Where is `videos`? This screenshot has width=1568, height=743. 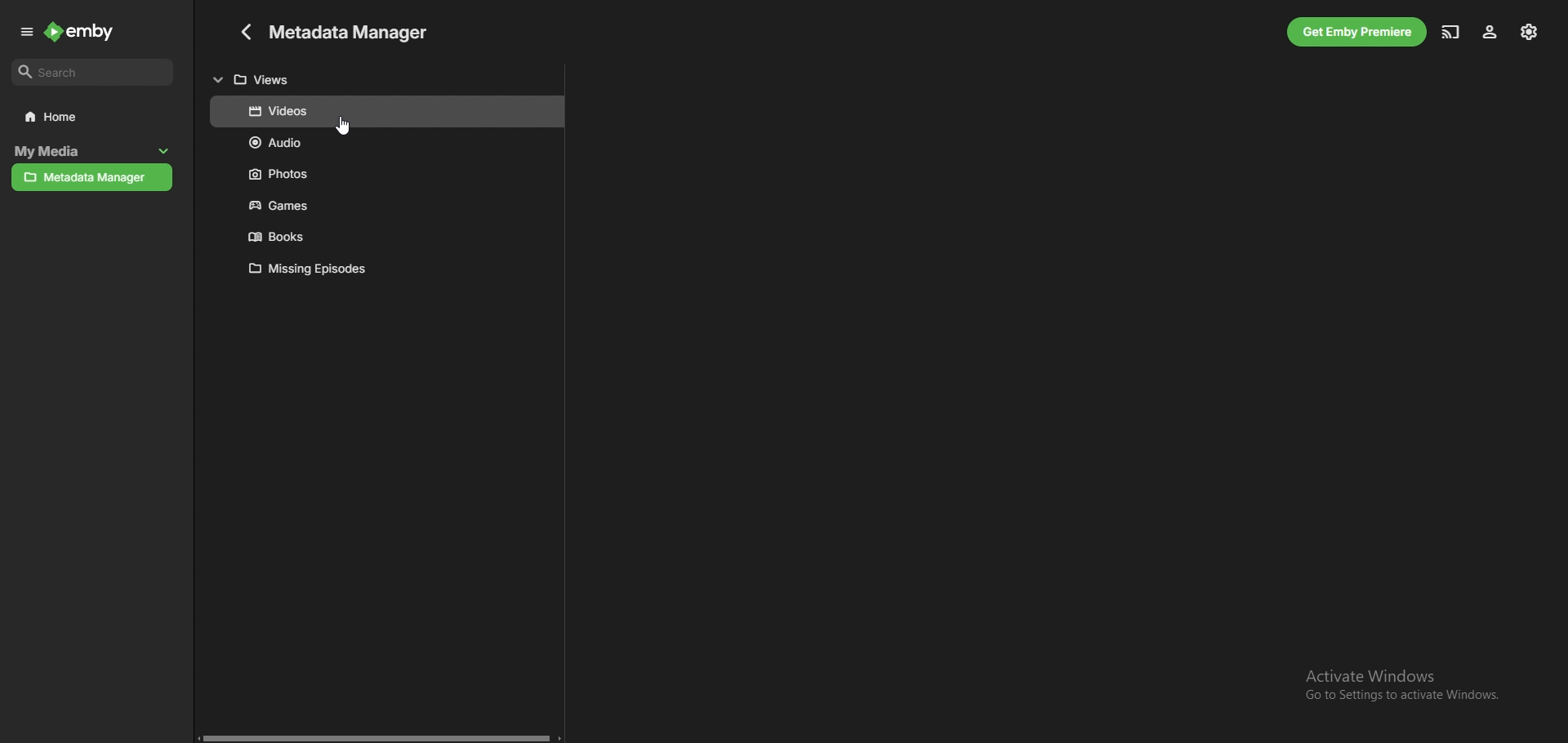
videos is located at coordinates (386, 112).